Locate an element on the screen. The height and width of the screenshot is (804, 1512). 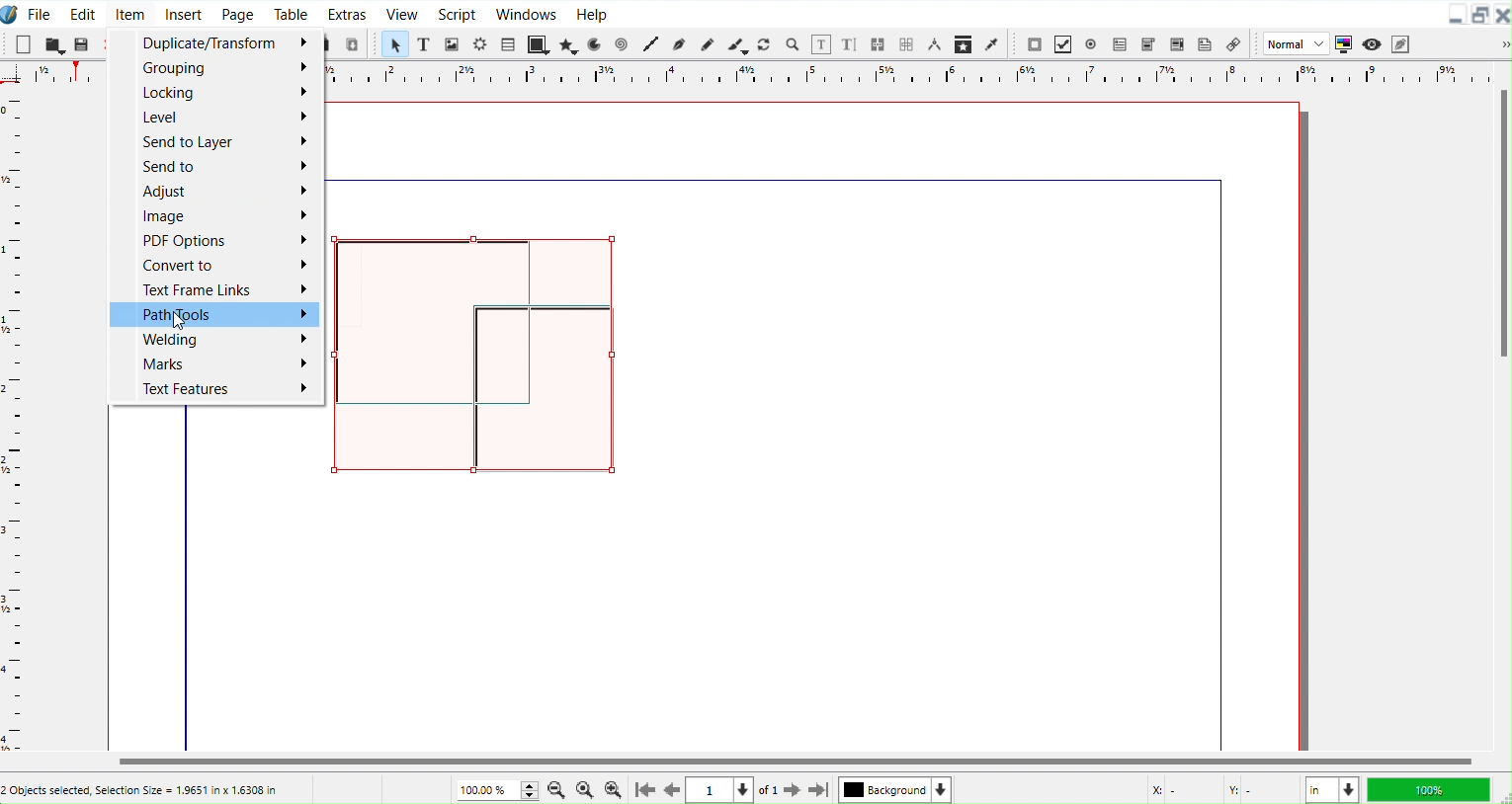
PDF Push Button is located at coordinates (1034, 44).